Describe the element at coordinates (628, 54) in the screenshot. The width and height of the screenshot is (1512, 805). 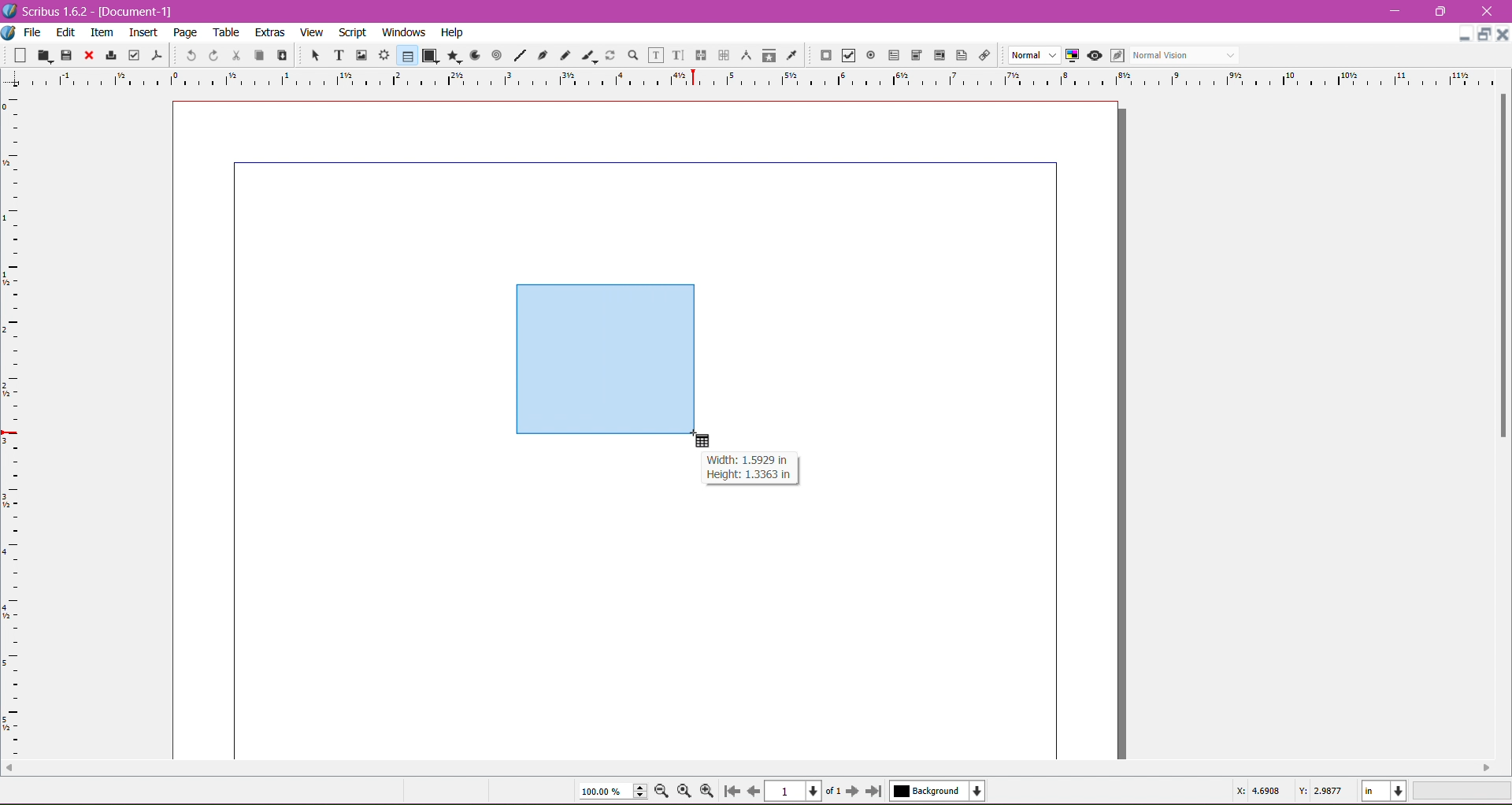
I see `Zoom in or out` at that location.